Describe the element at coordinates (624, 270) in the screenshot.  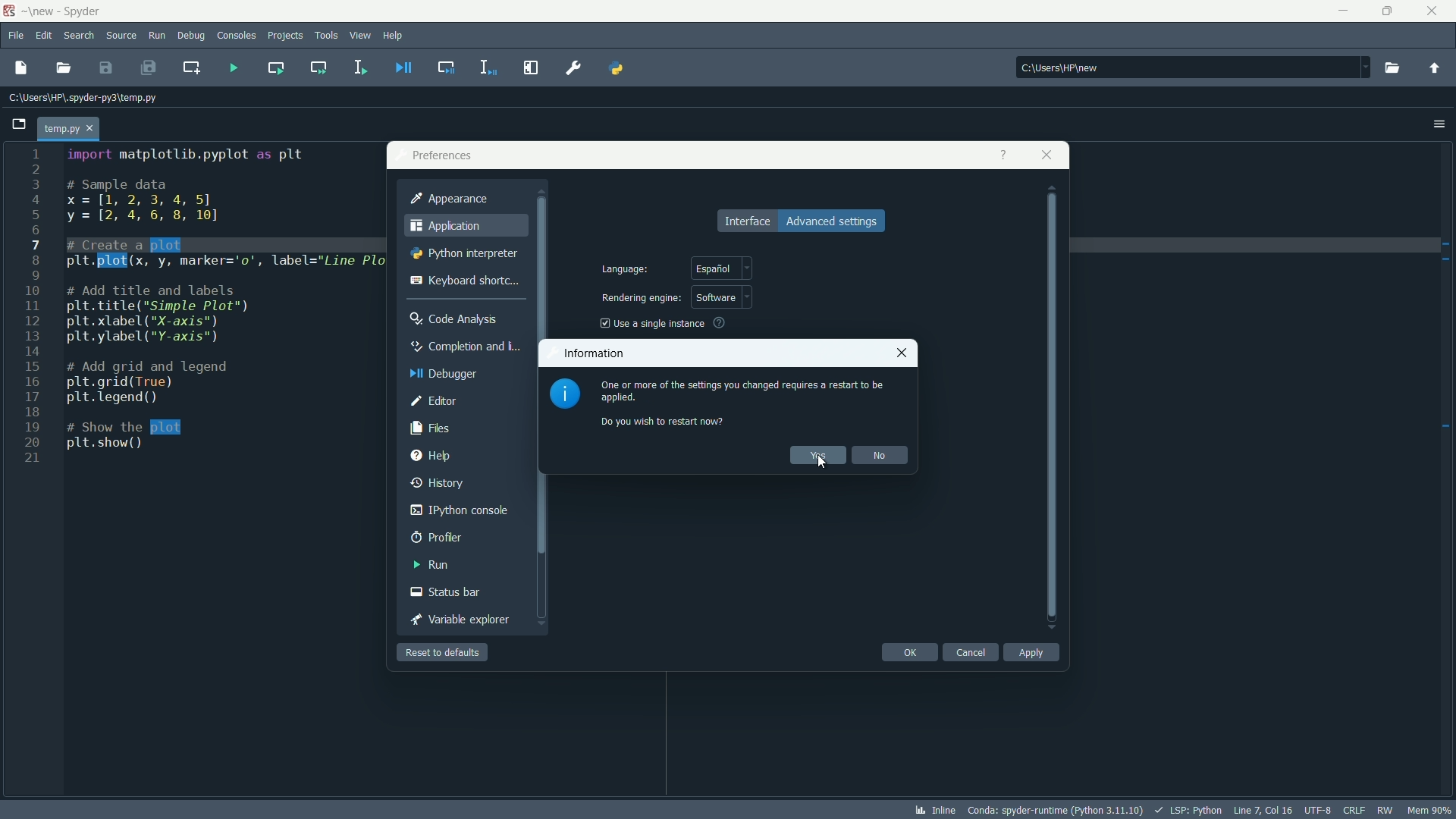
I see `language` at that location.